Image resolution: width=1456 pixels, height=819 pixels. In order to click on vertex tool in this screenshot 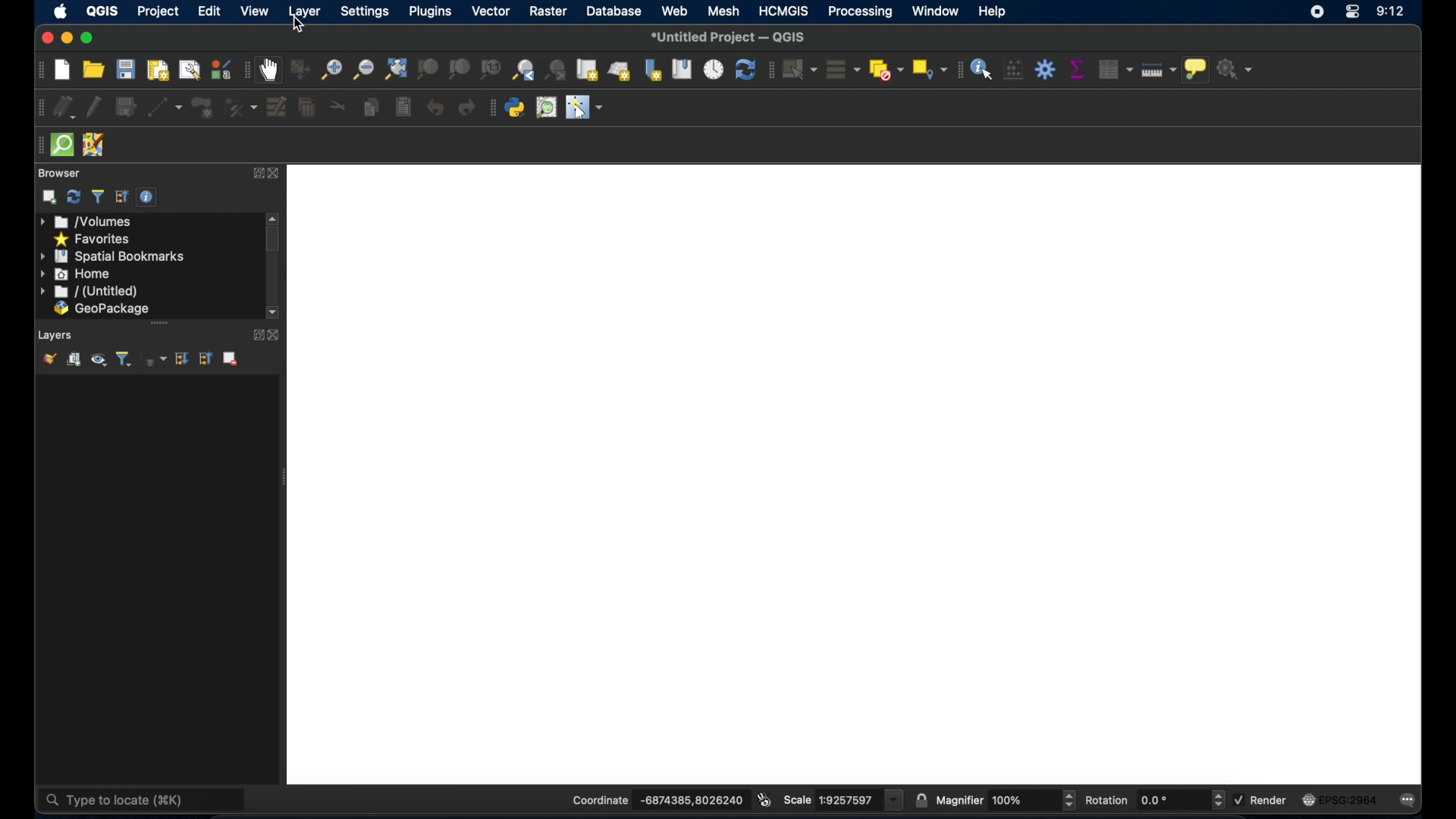, I will do `click(239, 108)`.